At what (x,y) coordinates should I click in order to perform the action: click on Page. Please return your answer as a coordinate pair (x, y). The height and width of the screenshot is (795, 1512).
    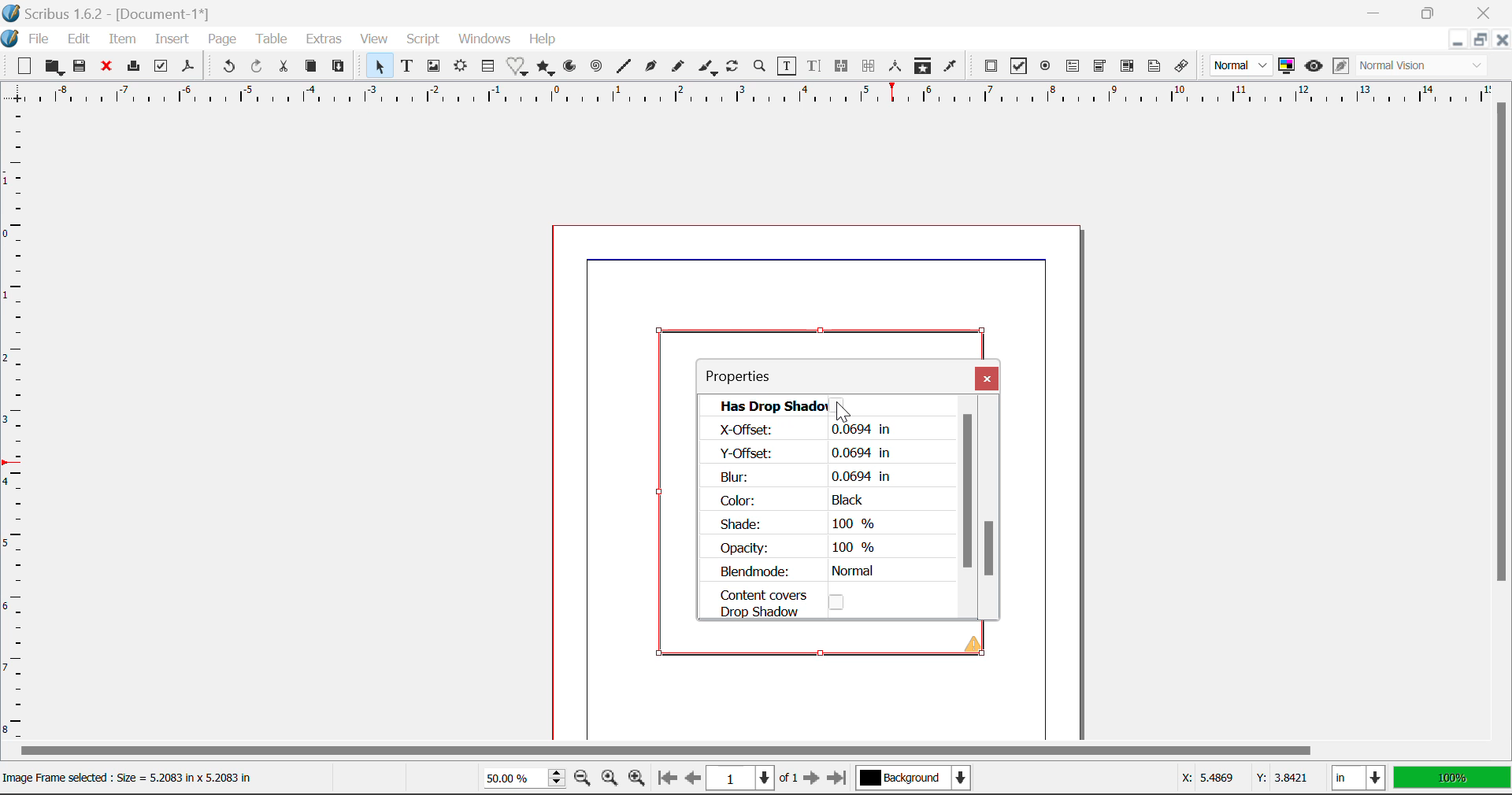
    Looking at the image, I should click on (222, 41).